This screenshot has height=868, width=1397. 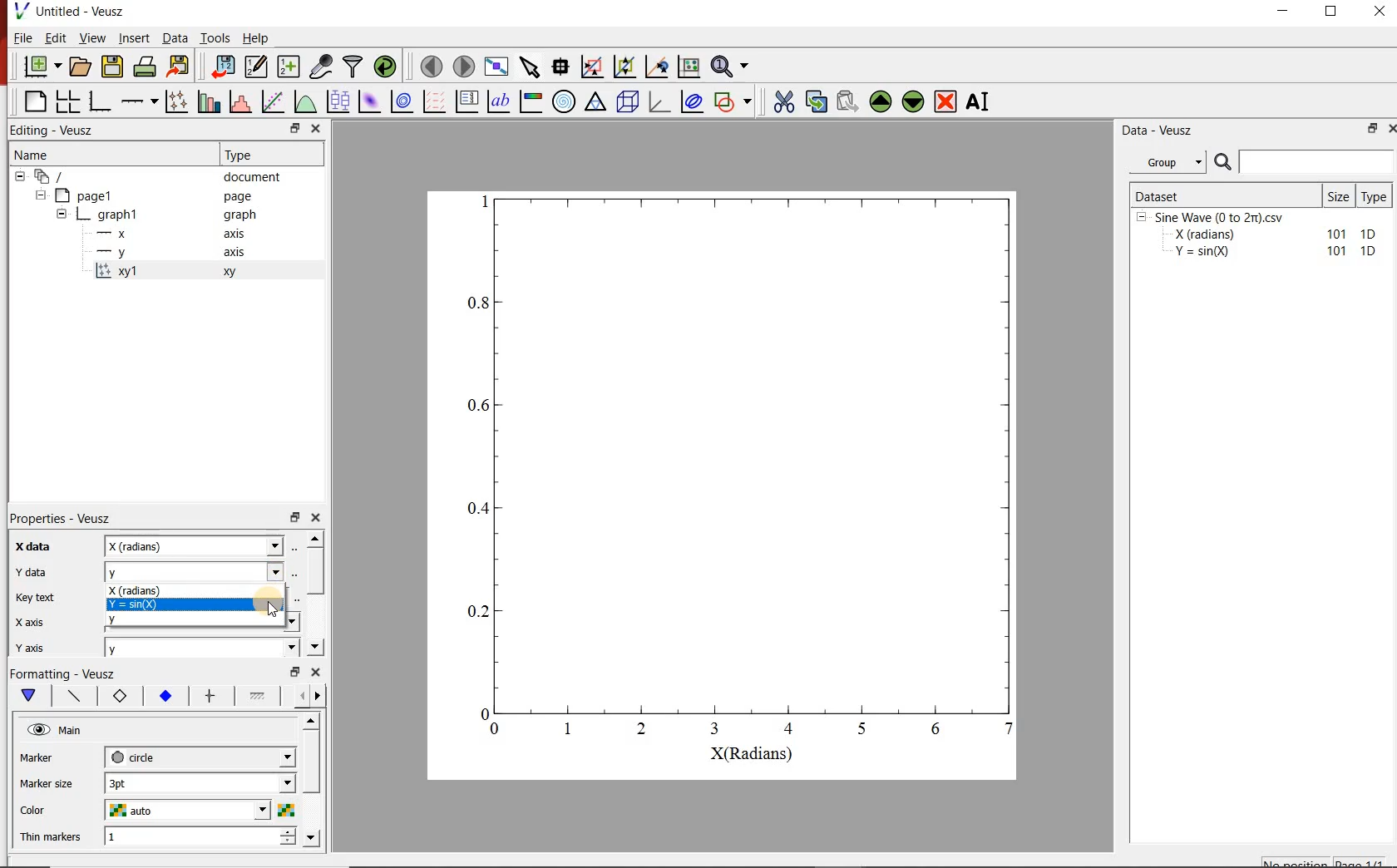 I want to click on Sine Wave (0 to 2m).csvX (radians) 101 1DY =sin(Q) 101 1D, so click(x=1258, y=239).